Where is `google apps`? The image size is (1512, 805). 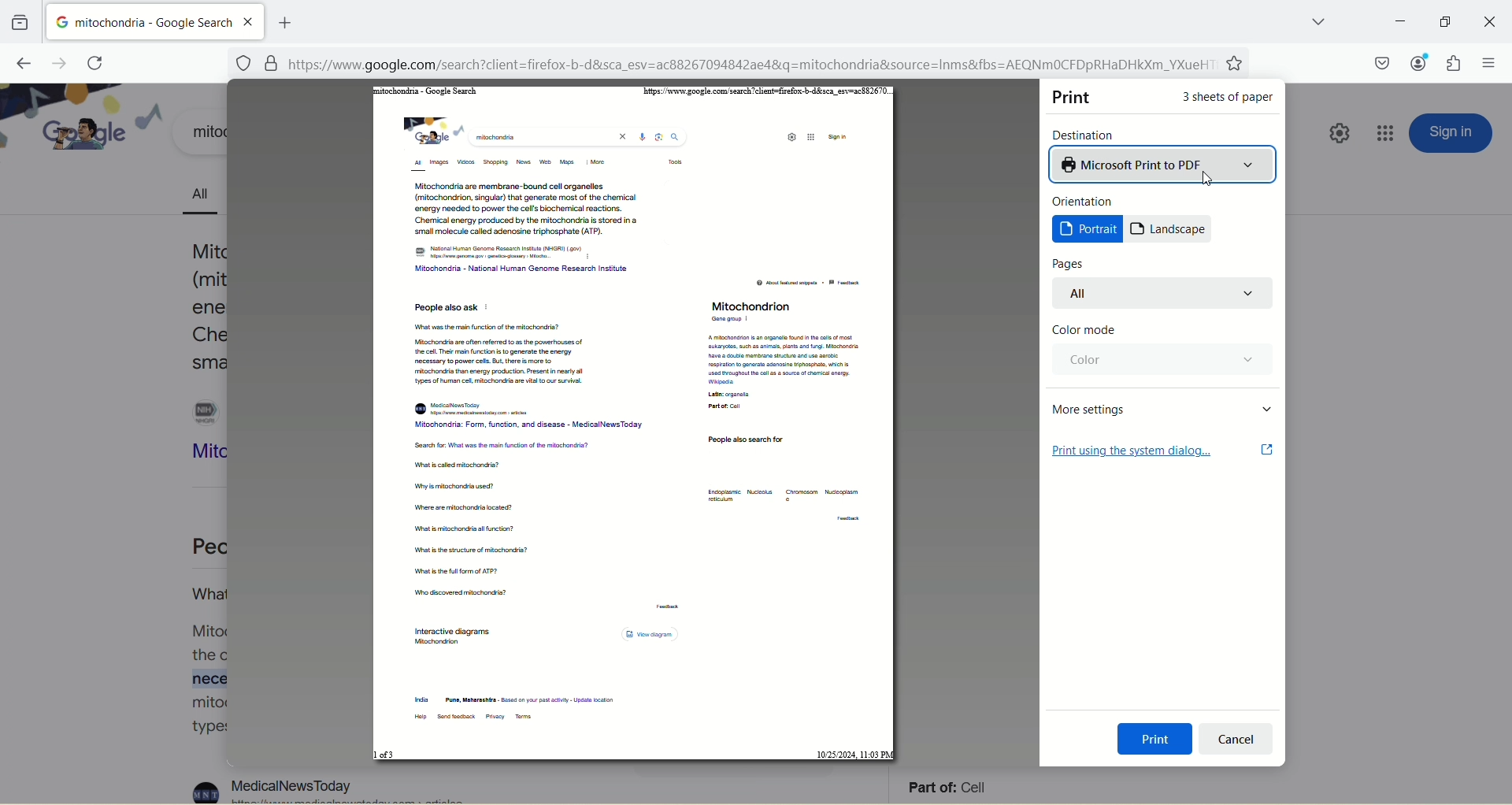
google apps is located at coordinates (1387, 133).